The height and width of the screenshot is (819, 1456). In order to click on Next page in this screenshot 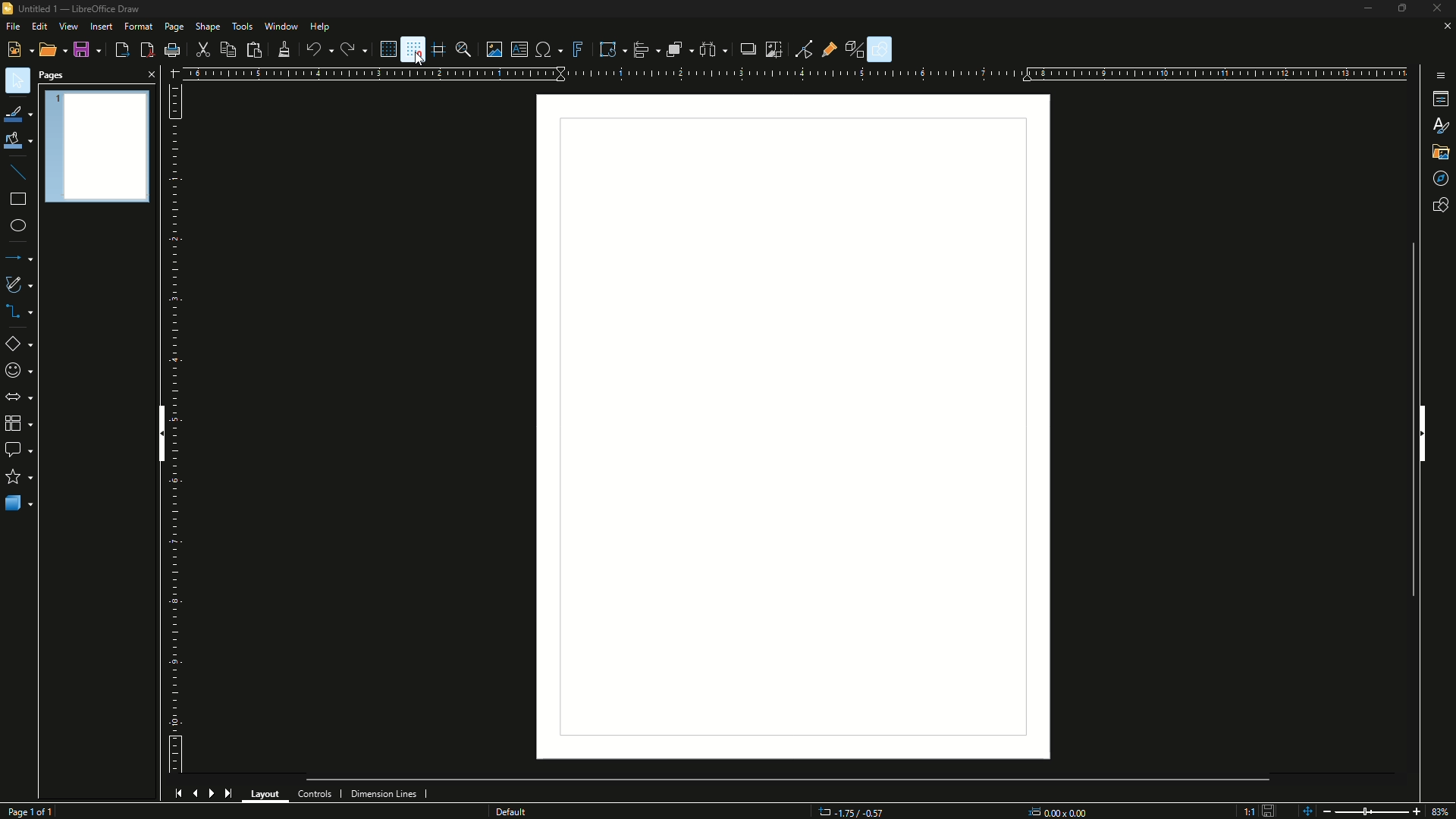, I will do `click(215, 792)`.